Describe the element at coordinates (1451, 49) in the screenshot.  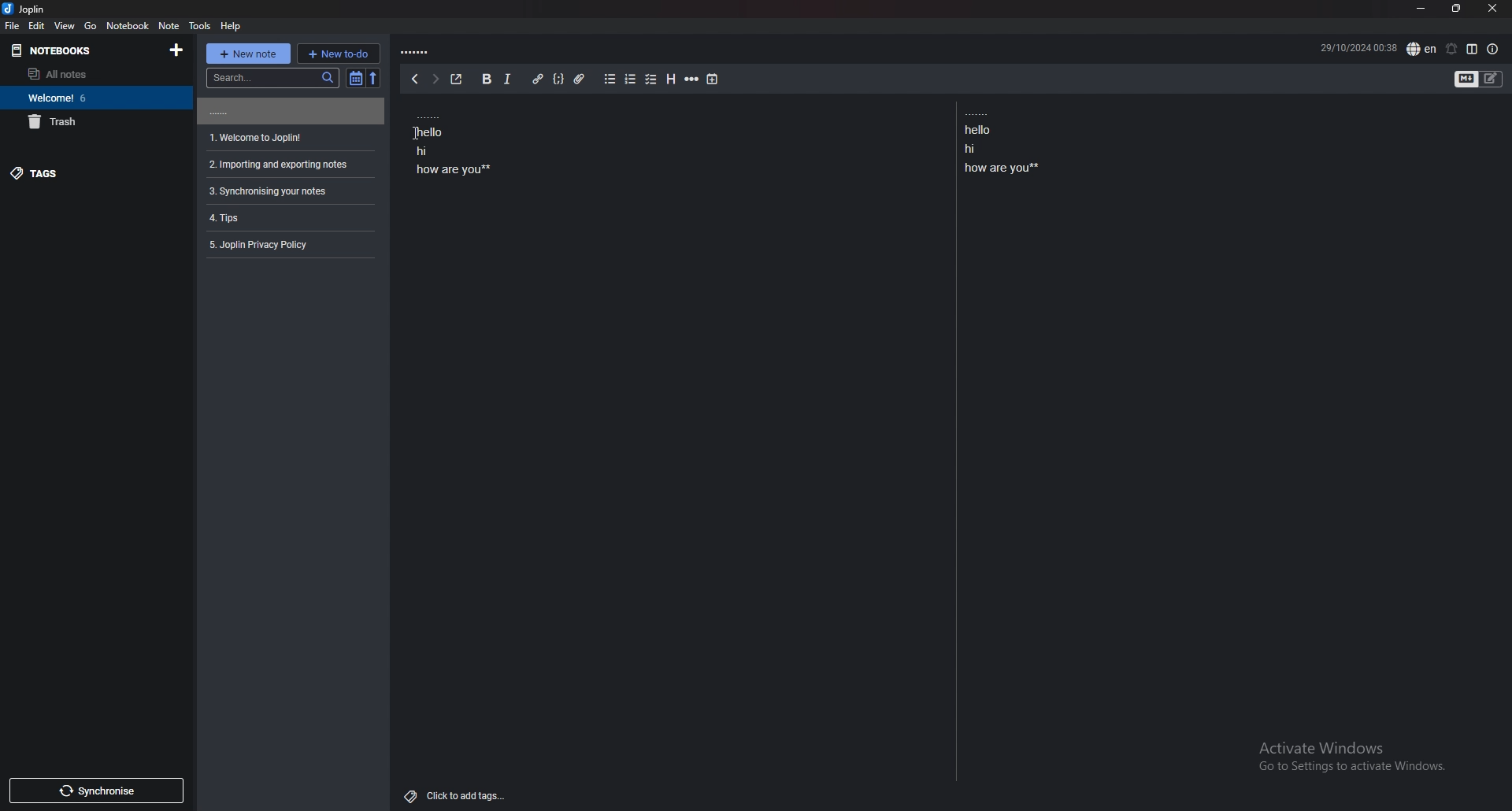
I see `set alarm` at that location.